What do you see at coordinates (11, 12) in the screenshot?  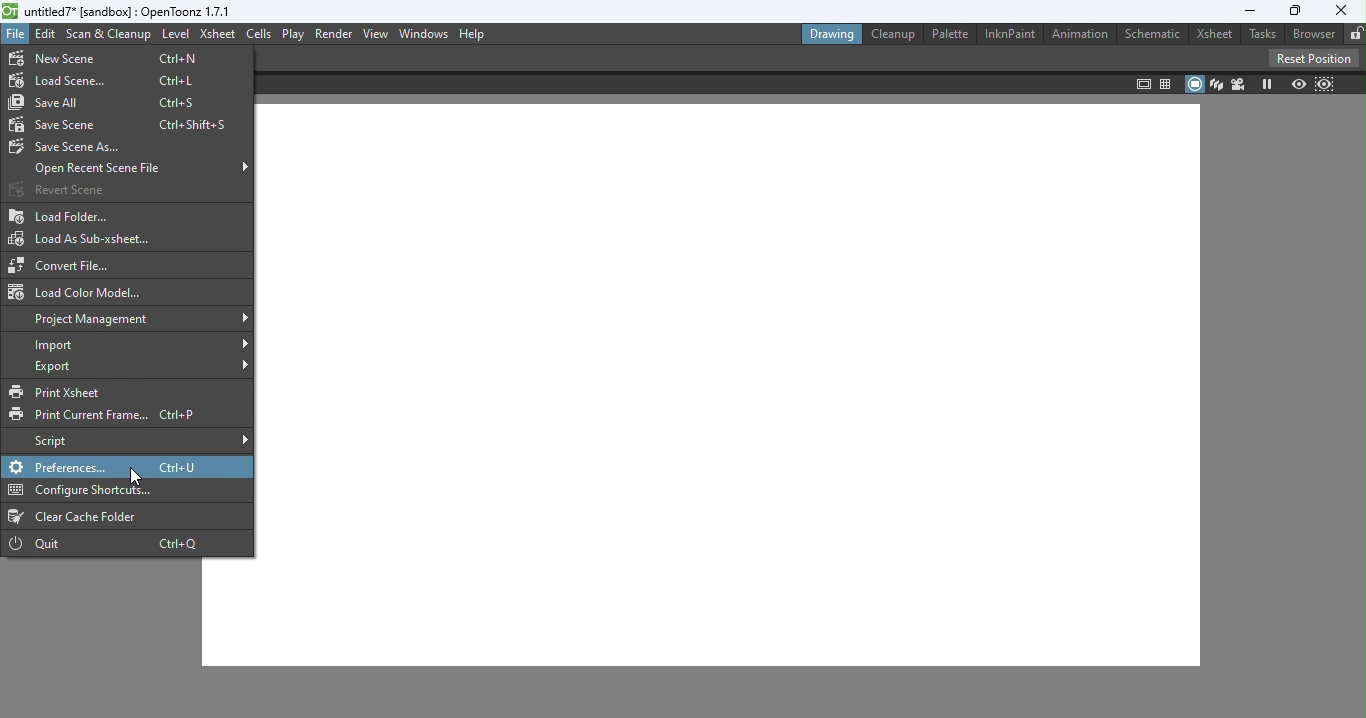 I see `logo` at bounding box center [11, 12].